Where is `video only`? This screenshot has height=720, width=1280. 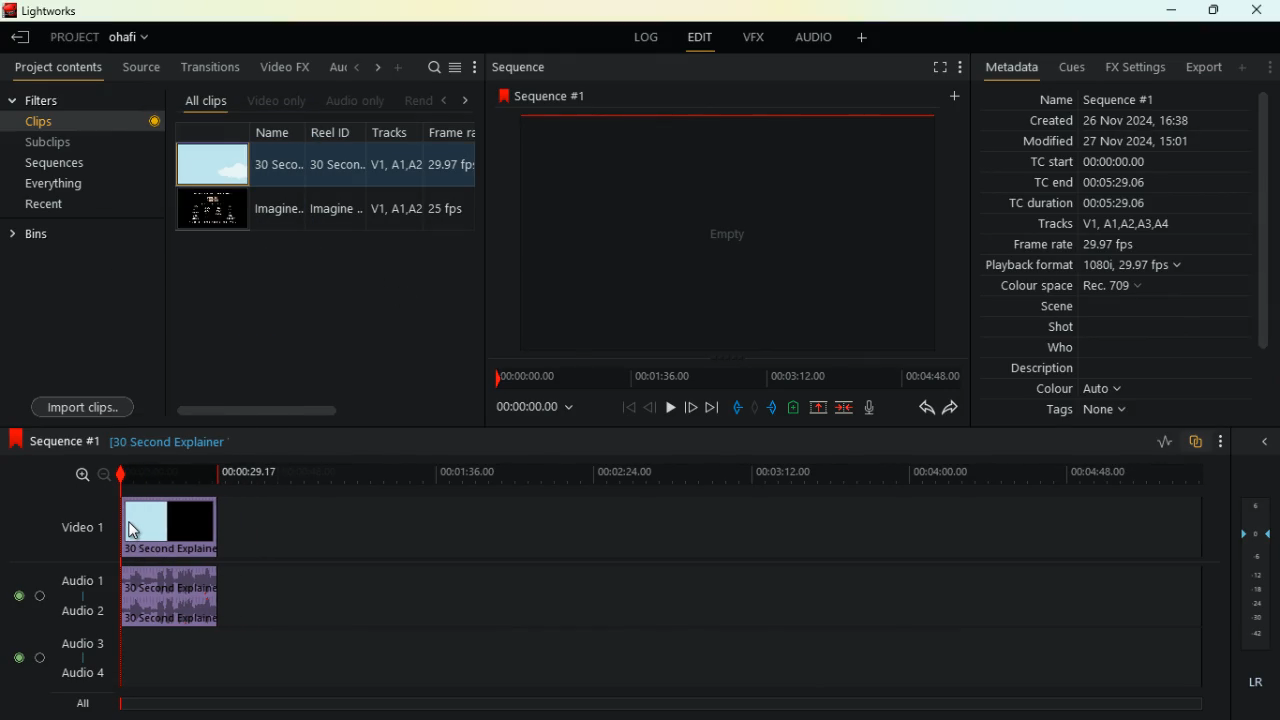 video only is located at coordinates (278, 100).